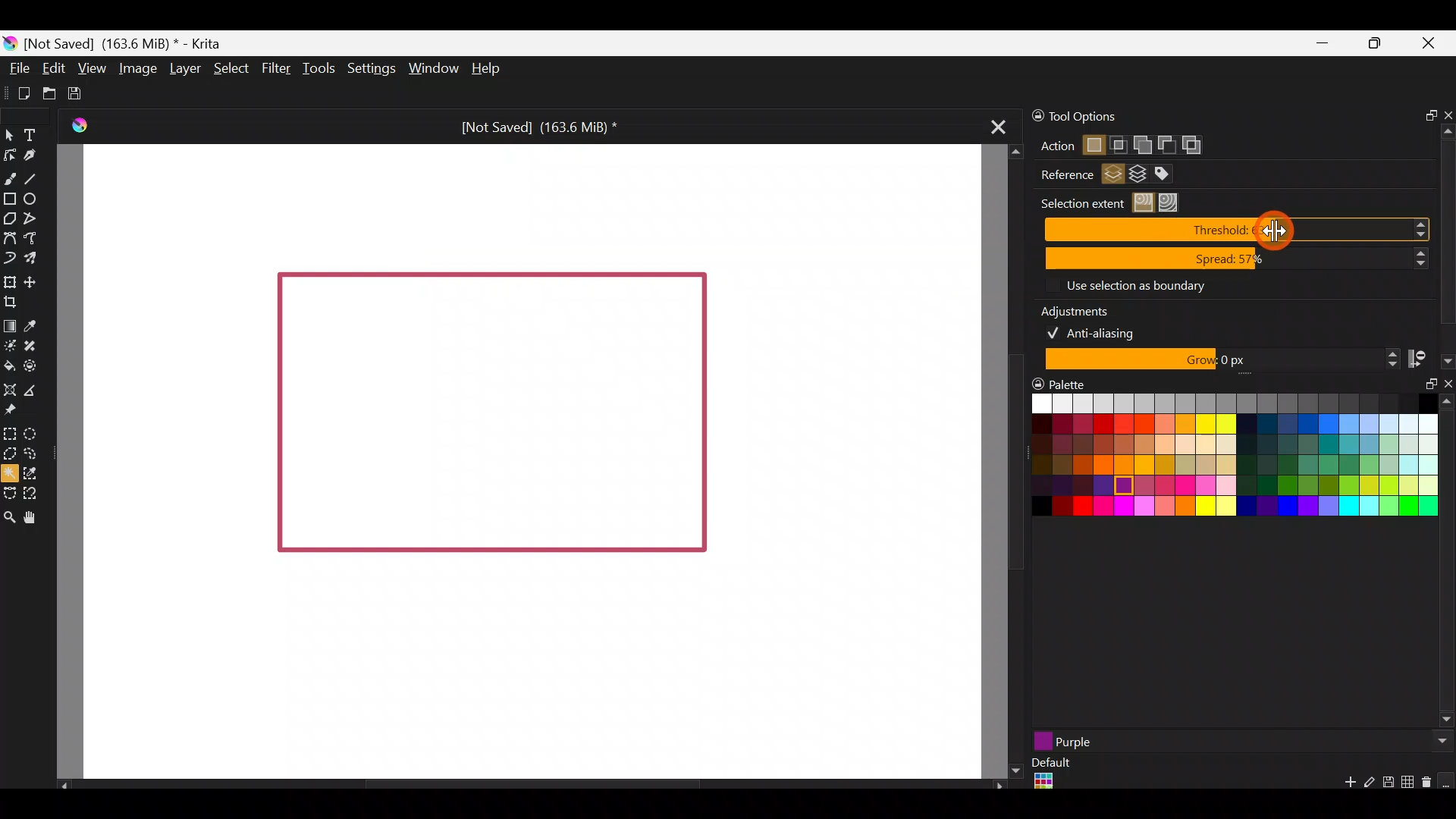 This screenshot has width=1456, height=819. What do you see at coordinates (537, 124) in the screenshot?
I see `[Not Saved] (163.6 MiB) *` at bounding box center [537, 124].